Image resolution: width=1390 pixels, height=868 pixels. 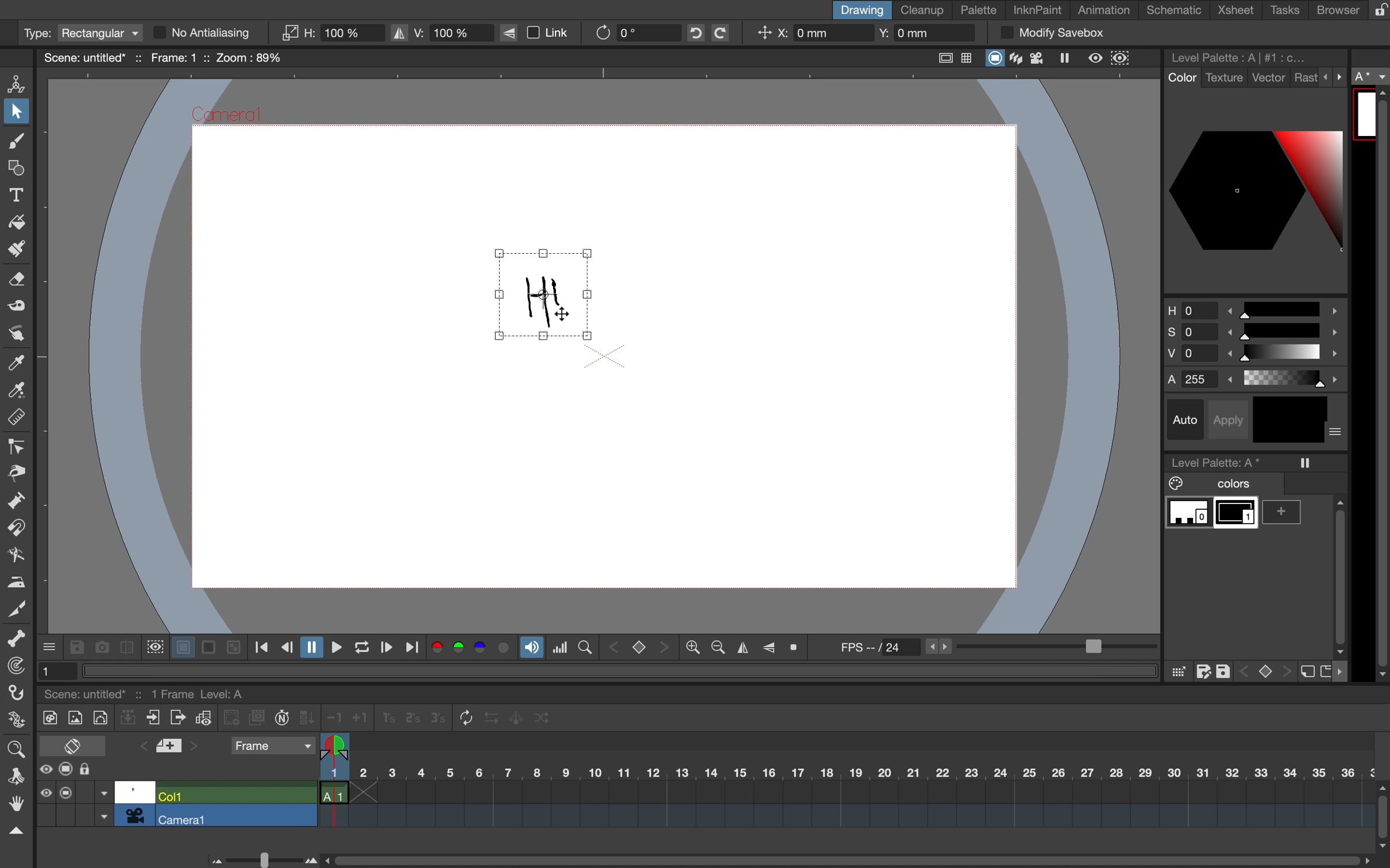 What do you see at coordinates (17, 472) in the screenshot?
I see `pinch tool` at bounding box center [17, 472].